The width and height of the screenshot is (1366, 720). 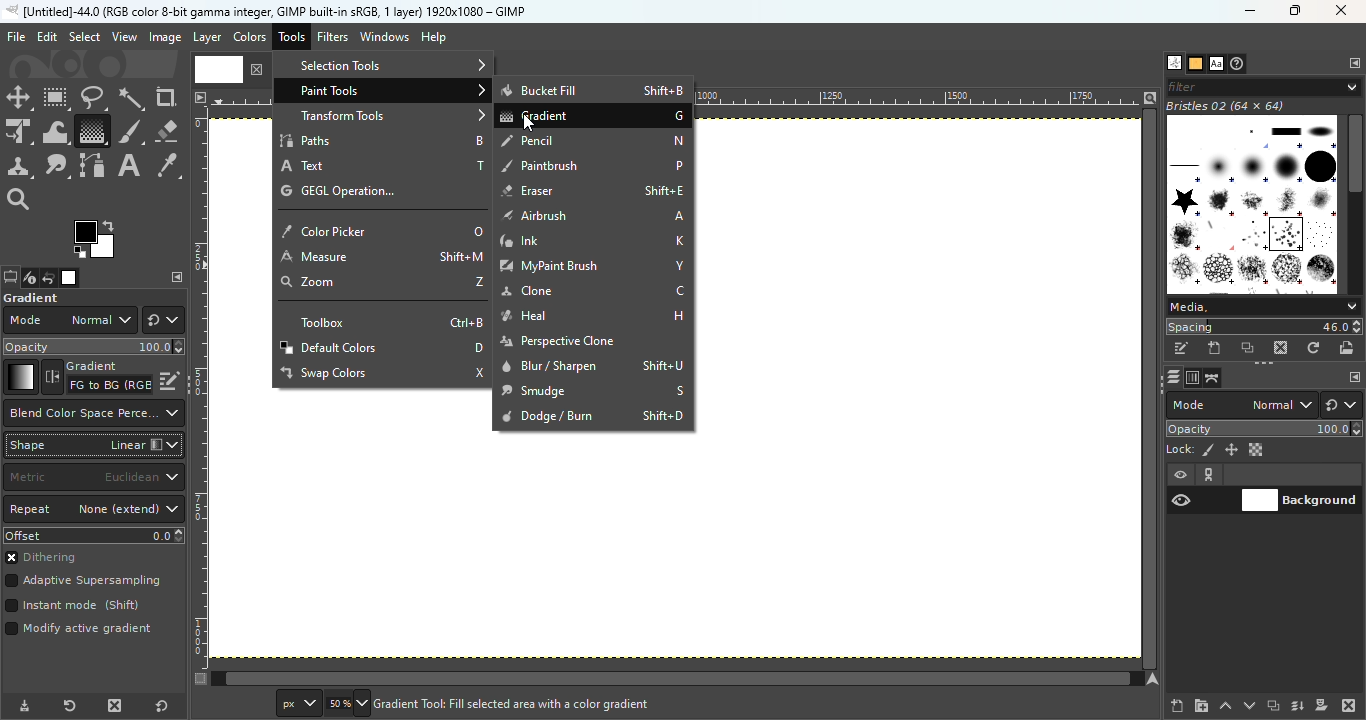 I want to click on create a new layer and add it to the image, so click(x=513, y=705).